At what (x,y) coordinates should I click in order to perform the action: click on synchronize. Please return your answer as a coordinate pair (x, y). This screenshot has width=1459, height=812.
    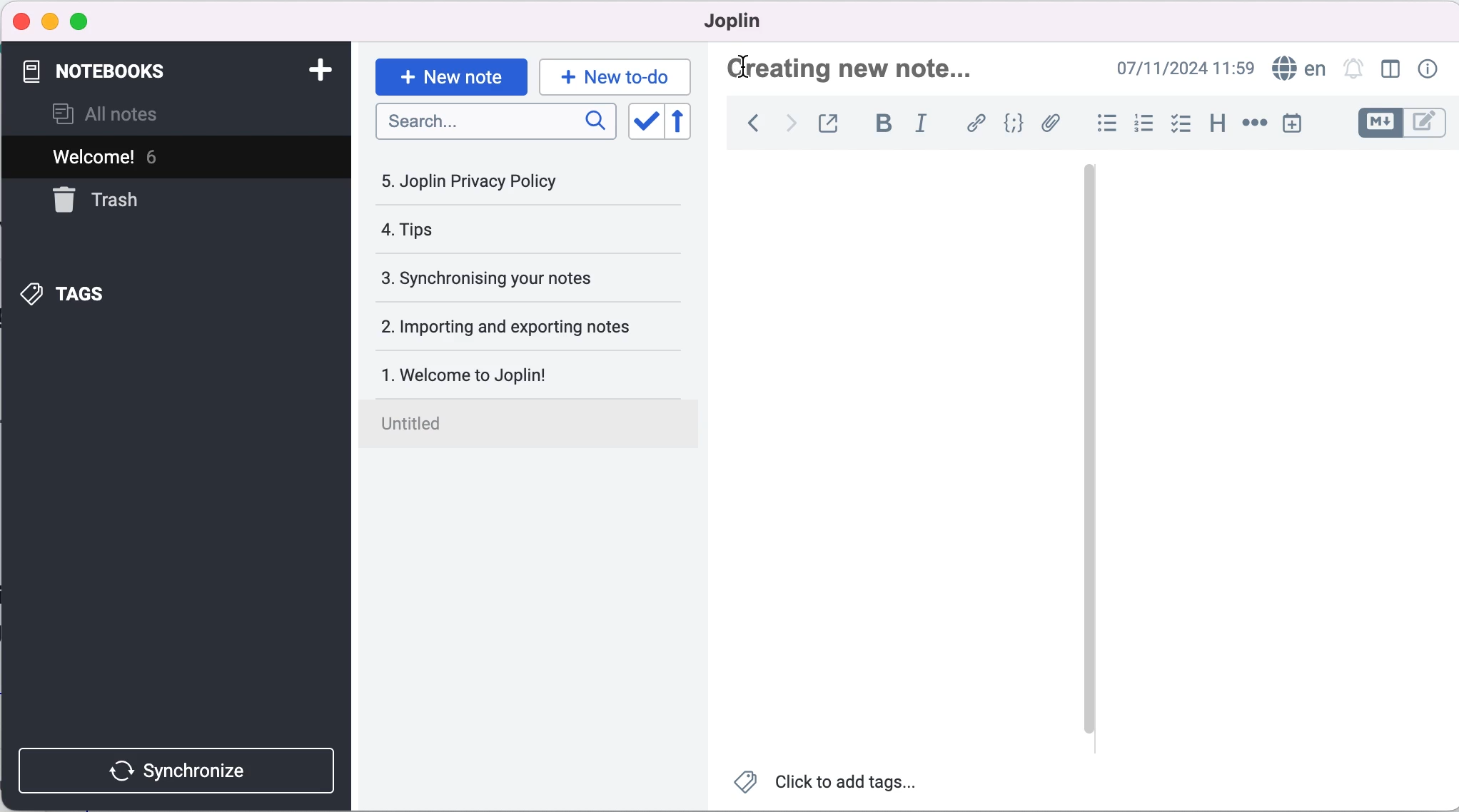
    Looking at the image, I should click on (175, 768).